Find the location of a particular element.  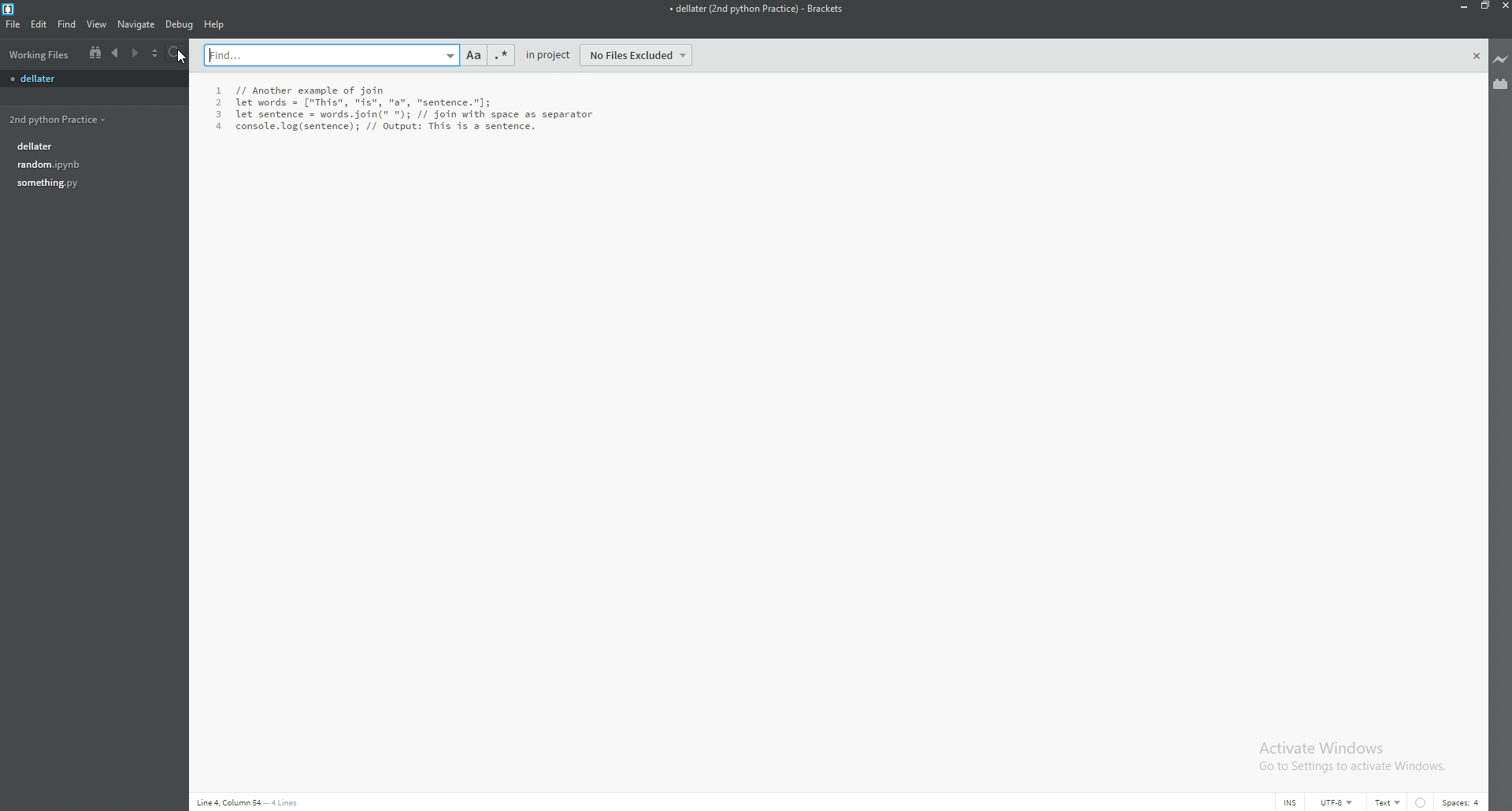

minimize is located at coordinates (1464, 6).